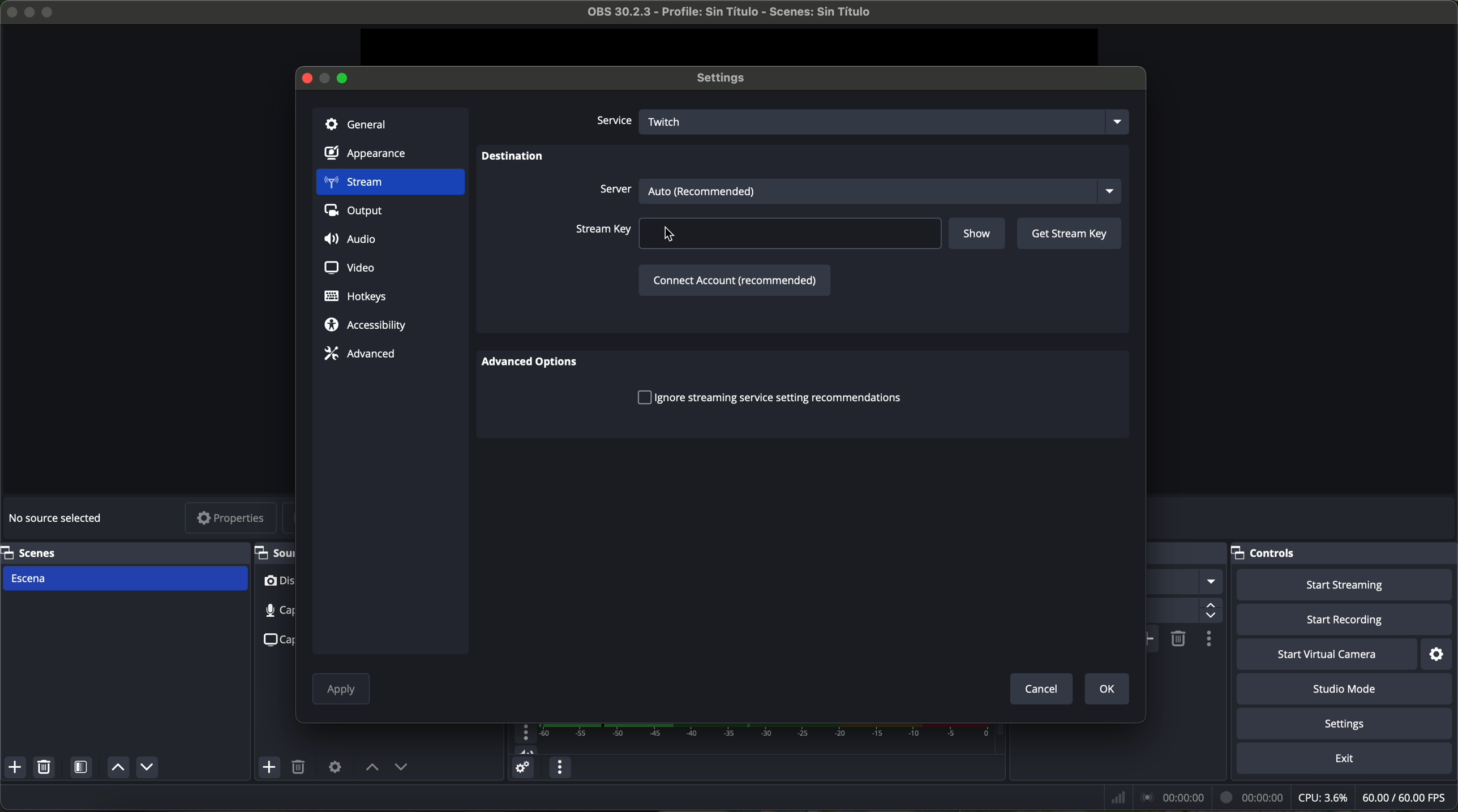  Describe the element at coordinates (271, 768) in the screenshot. I see `add sources` at that location.